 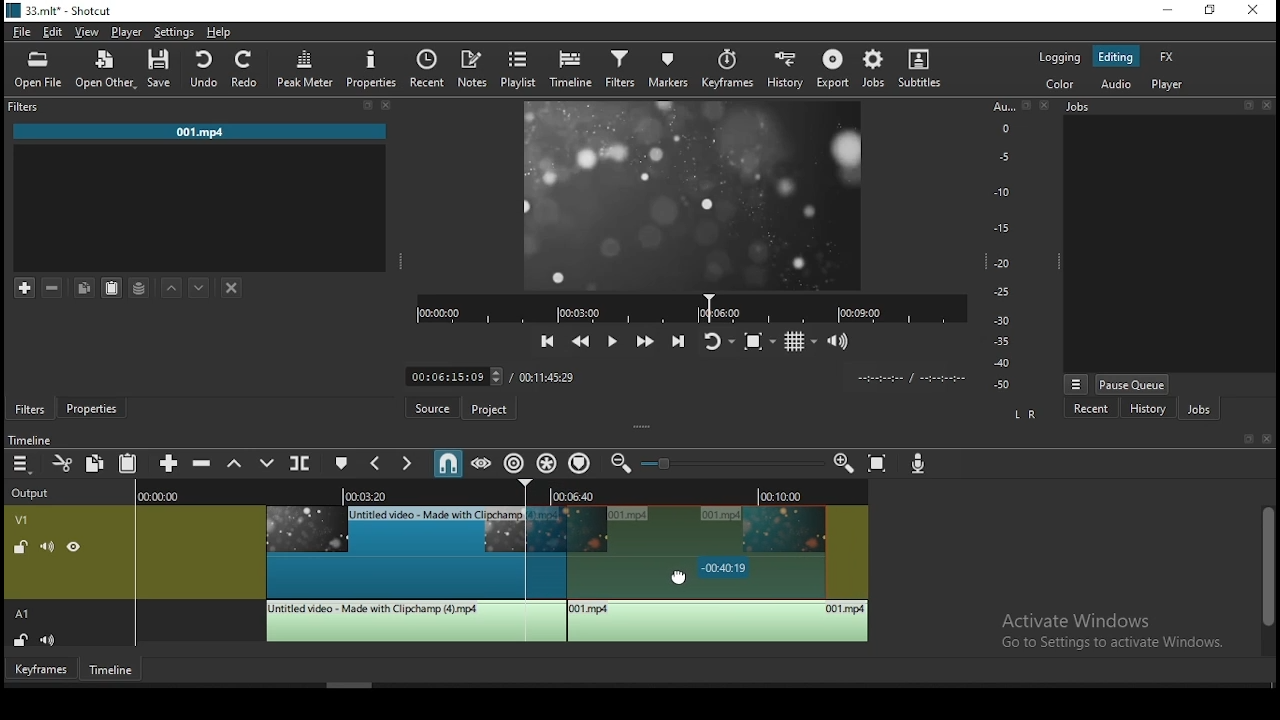 What do you see at coordinates (168, 463) in the screenshot?
I see `append` at bounding box center [168, 463].